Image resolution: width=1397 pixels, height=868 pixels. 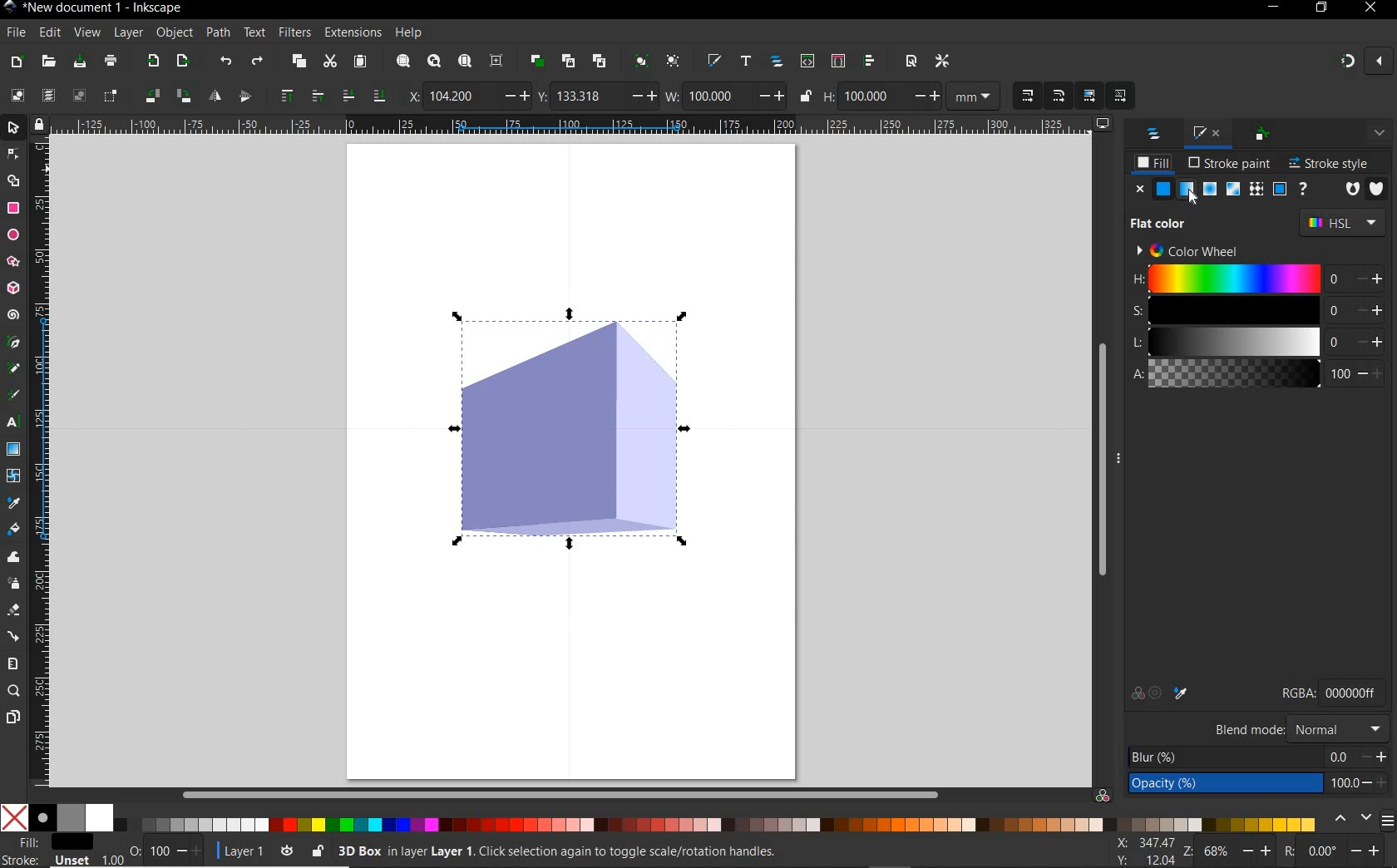 What do you see at coordinates (16, 93) in the screenshot?
I see `SELECT ALL` at bounding box center [16, 93].